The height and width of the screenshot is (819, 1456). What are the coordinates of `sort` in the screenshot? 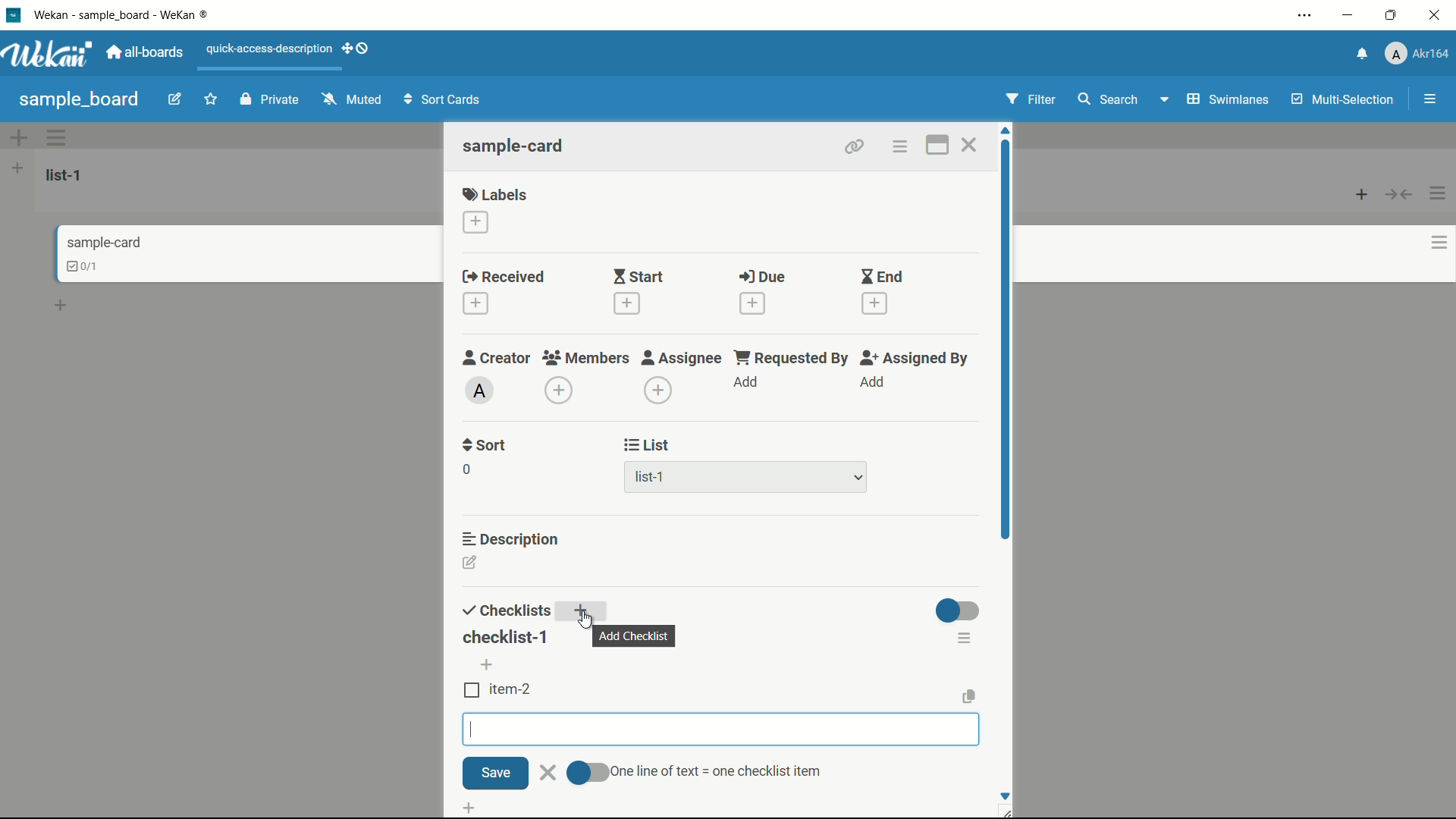 It's located at (485, 445).